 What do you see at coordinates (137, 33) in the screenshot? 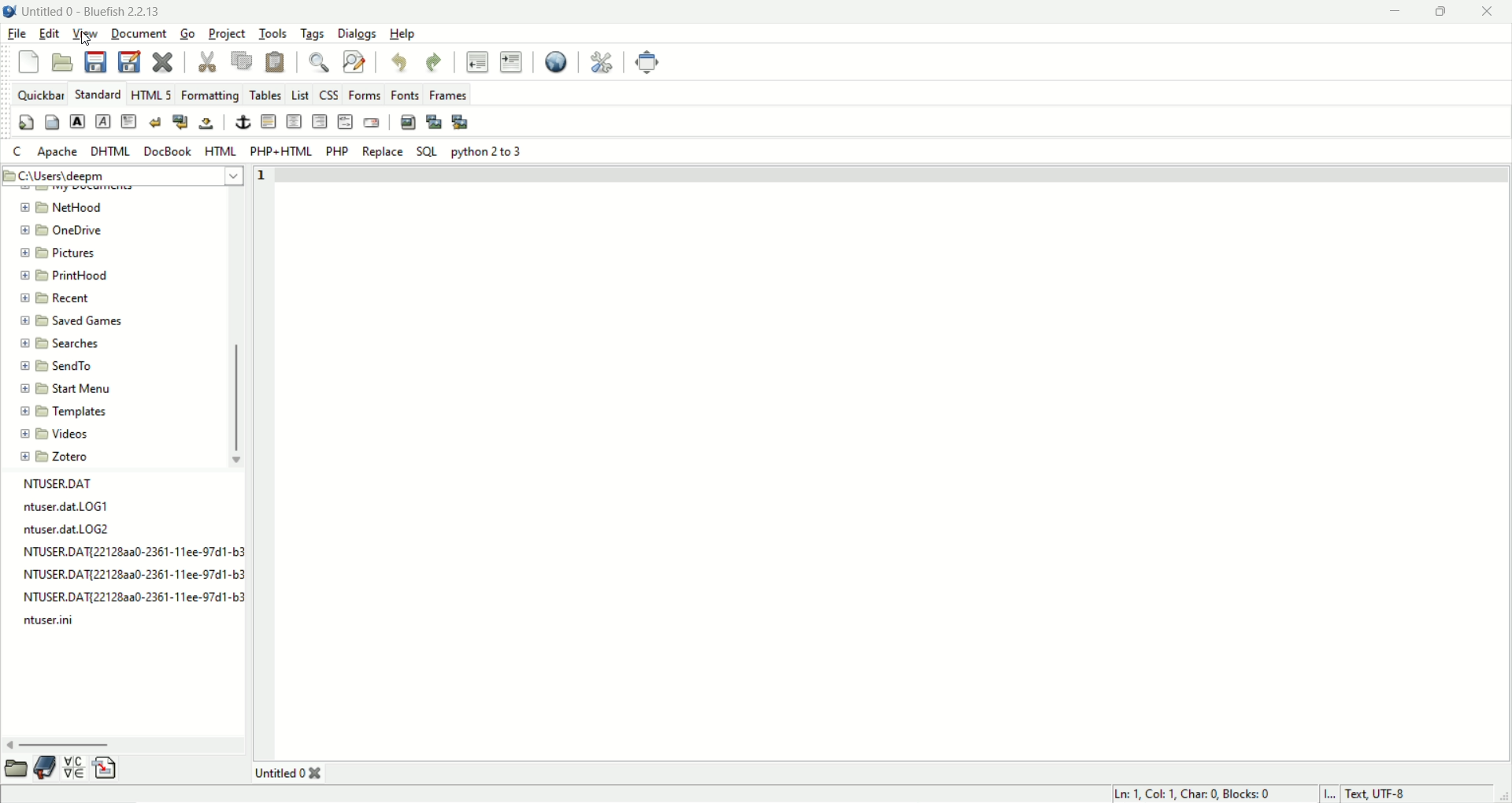
I see `document` at bounding box center [137, 33].